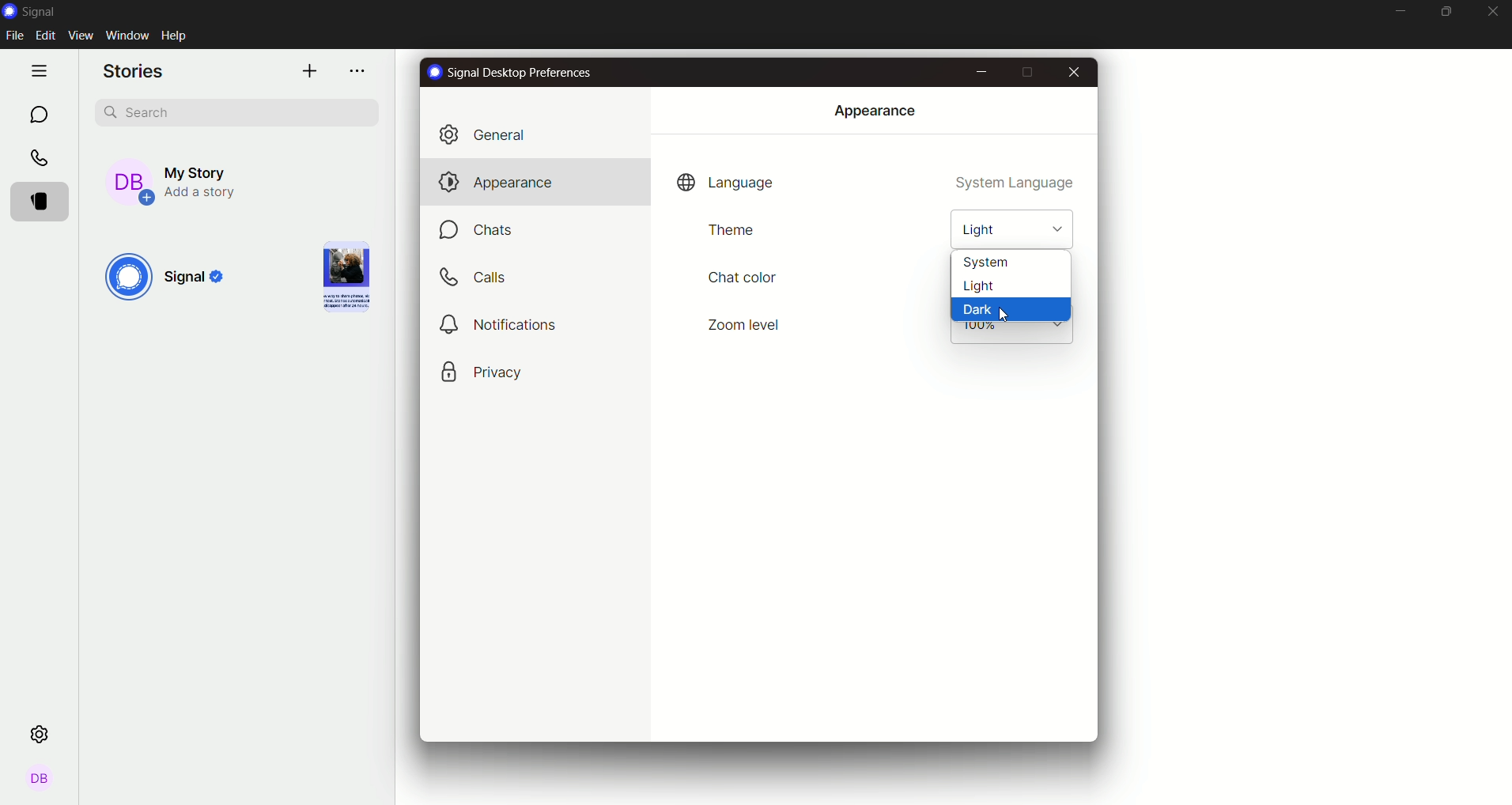 This screenshot has height=805, width=1512. What do you see at coordinates (1014, 263) in the screenshot?
I see `system` at bounding box center [1014, 263].